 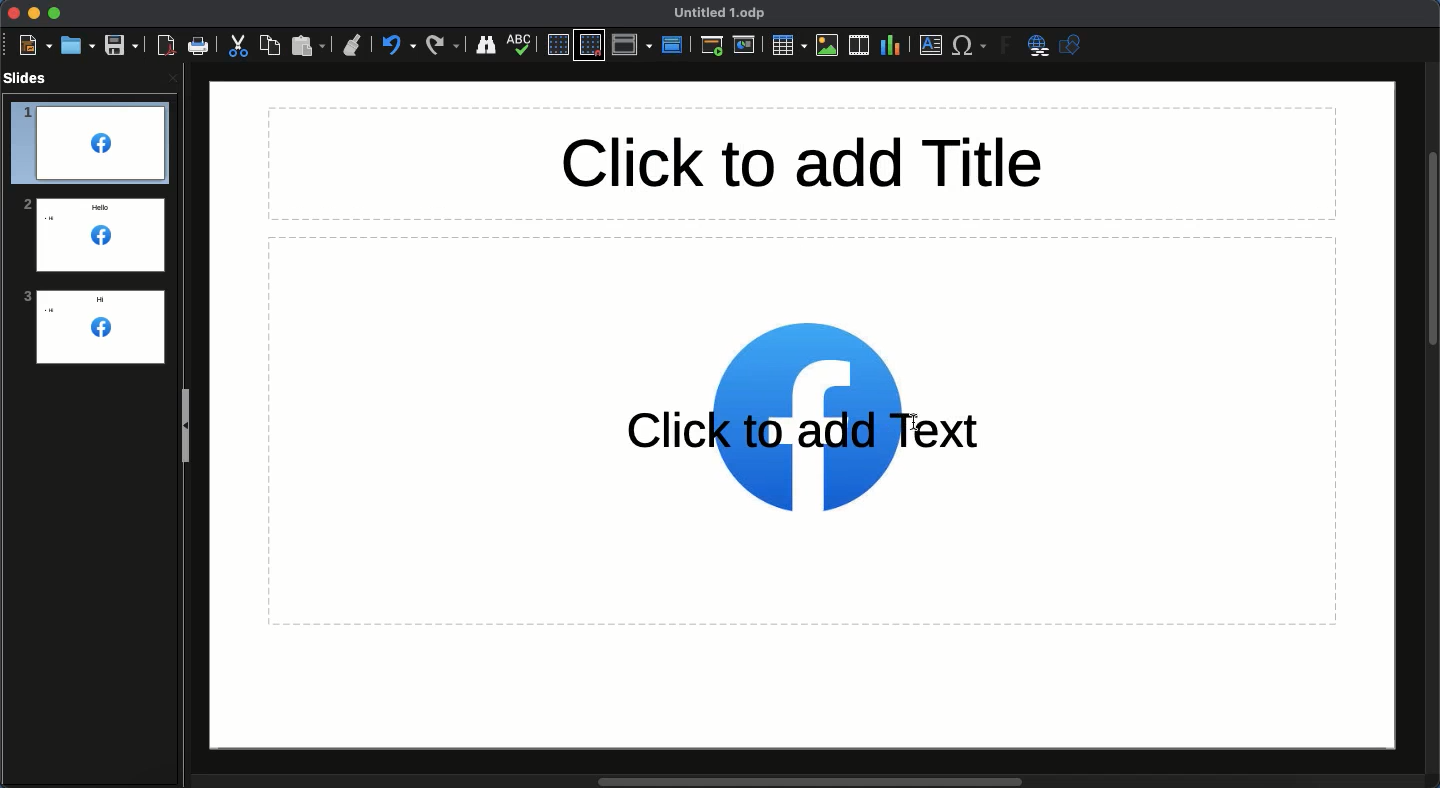 What do you see at coordinates (485, 44) in the screenshot?
I see `Finder` at bounding box center [485, 44].